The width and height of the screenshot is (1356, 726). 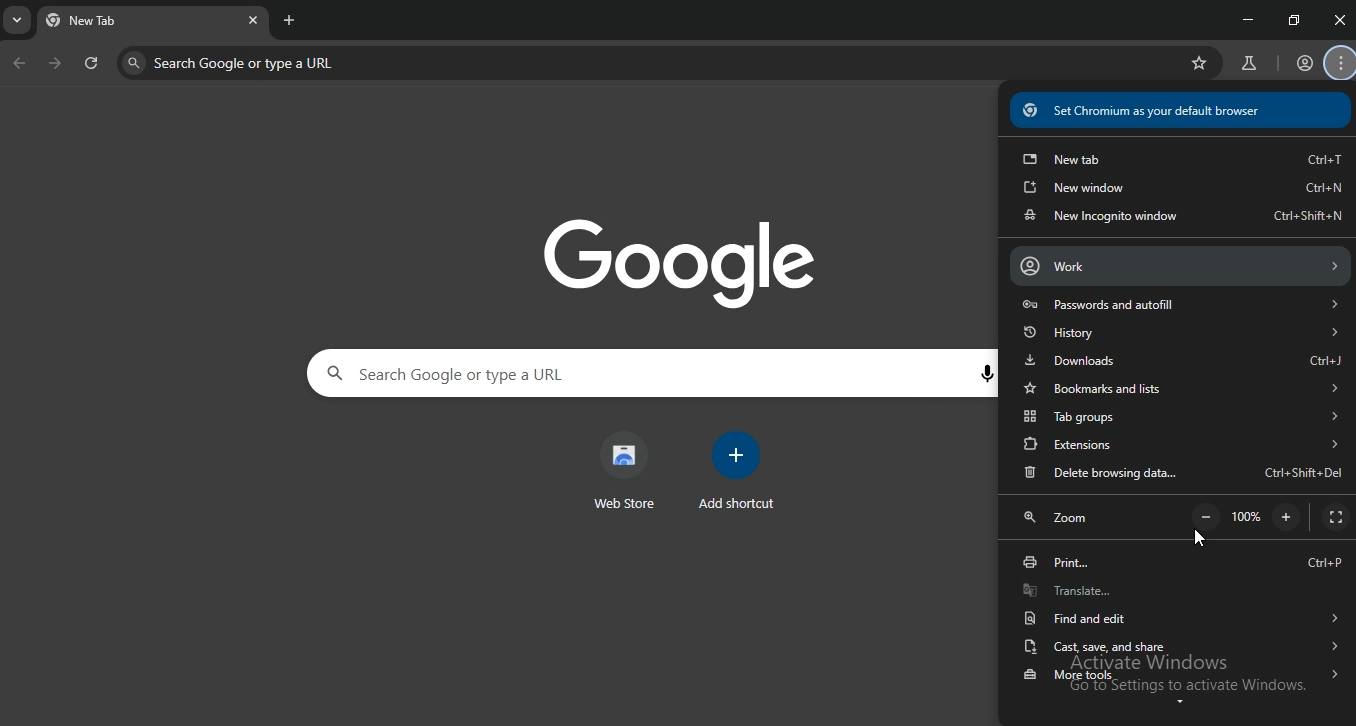 I want to click on print, so click(x=1182, y=562).